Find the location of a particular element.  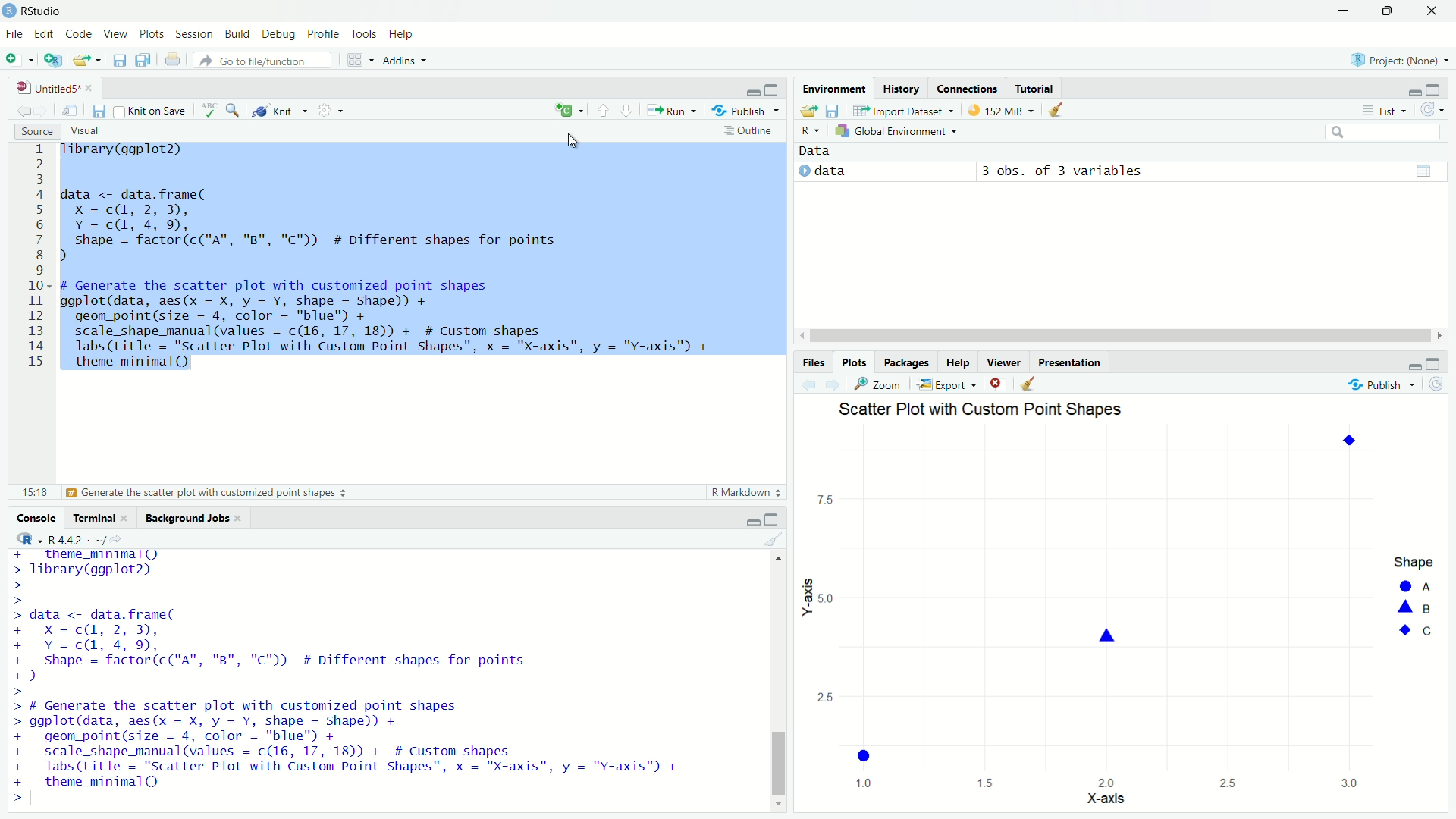

Knit on Save is located at coordinates (151, 110).